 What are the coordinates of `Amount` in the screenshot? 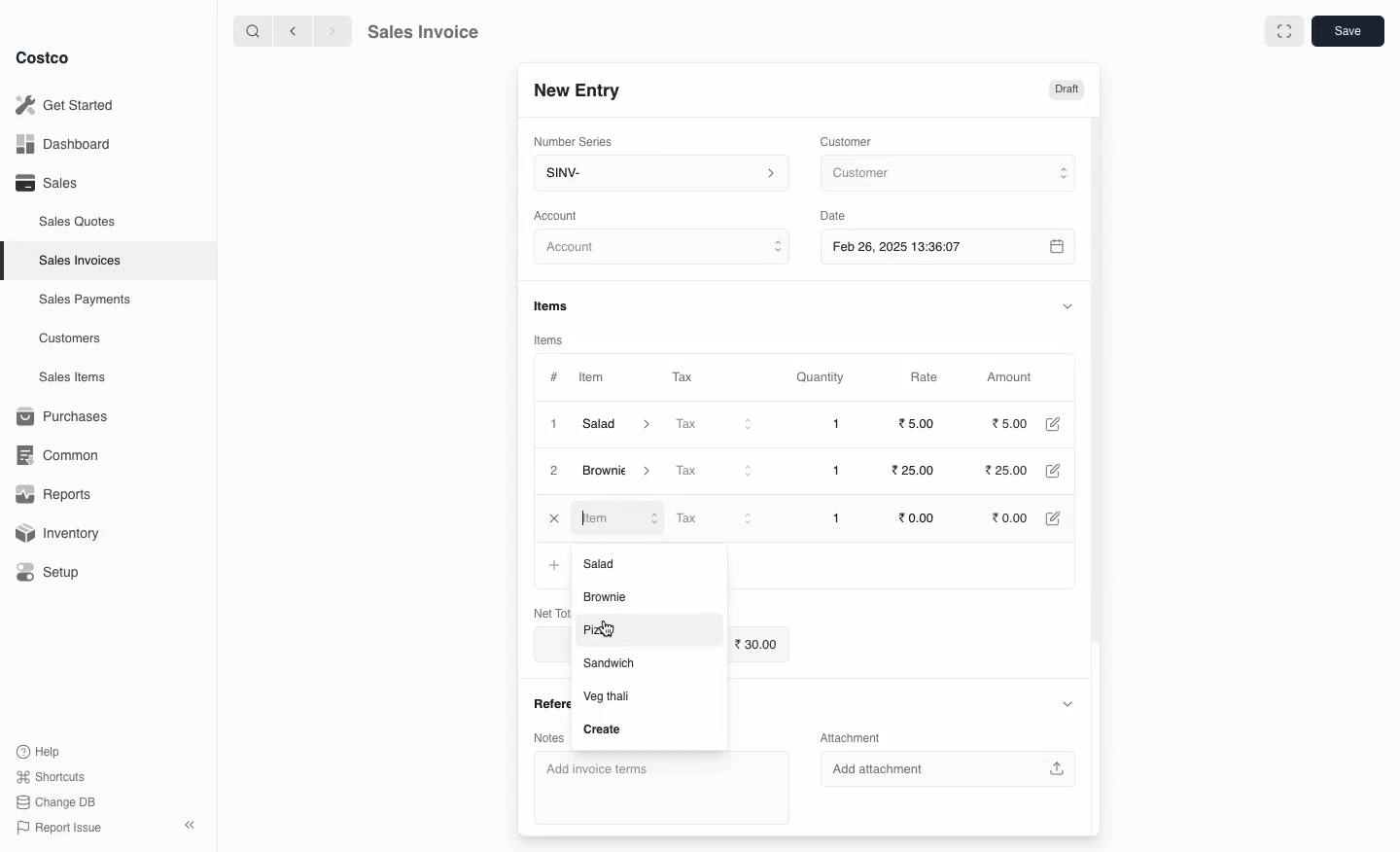 It's located at (1015, 377).